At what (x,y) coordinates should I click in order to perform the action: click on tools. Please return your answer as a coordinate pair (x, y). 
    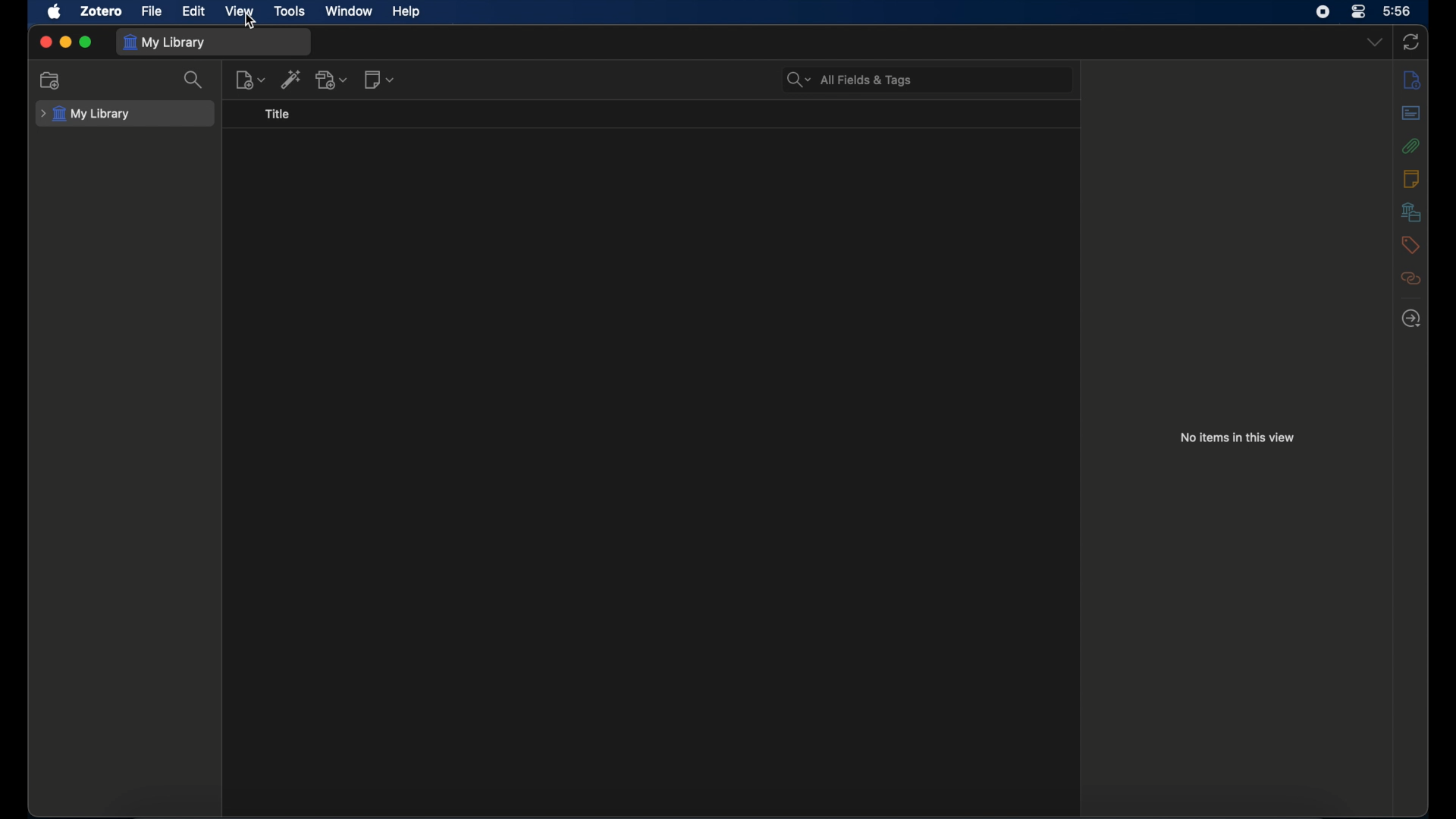
    Looking at the image, I should click on (290, 11).